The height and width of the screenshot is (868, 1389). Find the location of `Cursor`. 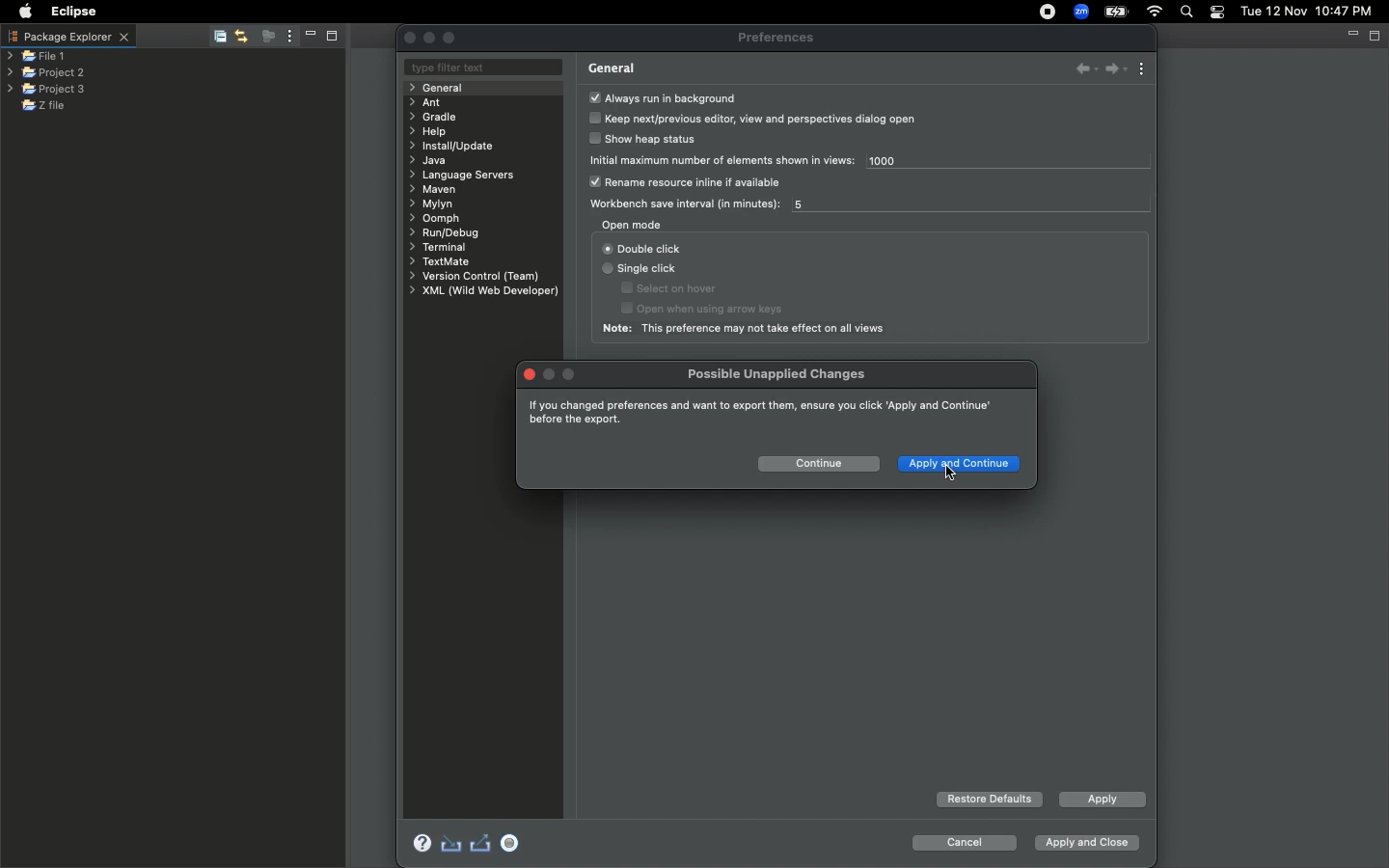

Cursor is located at coordinates (948, 473).